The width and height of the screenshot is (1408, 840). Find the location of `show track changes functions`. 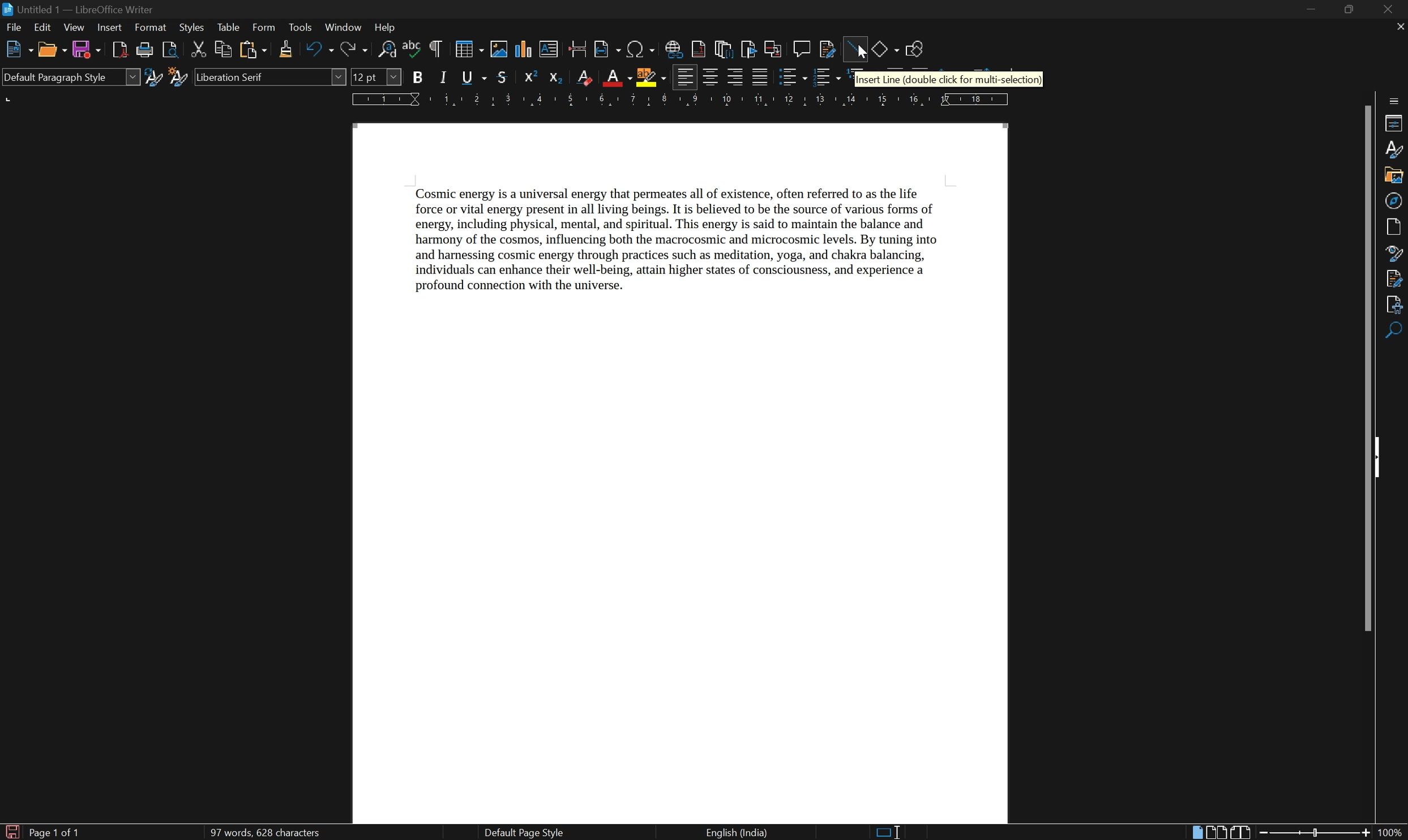

show track changes functions is located at coordinates (828, 50).